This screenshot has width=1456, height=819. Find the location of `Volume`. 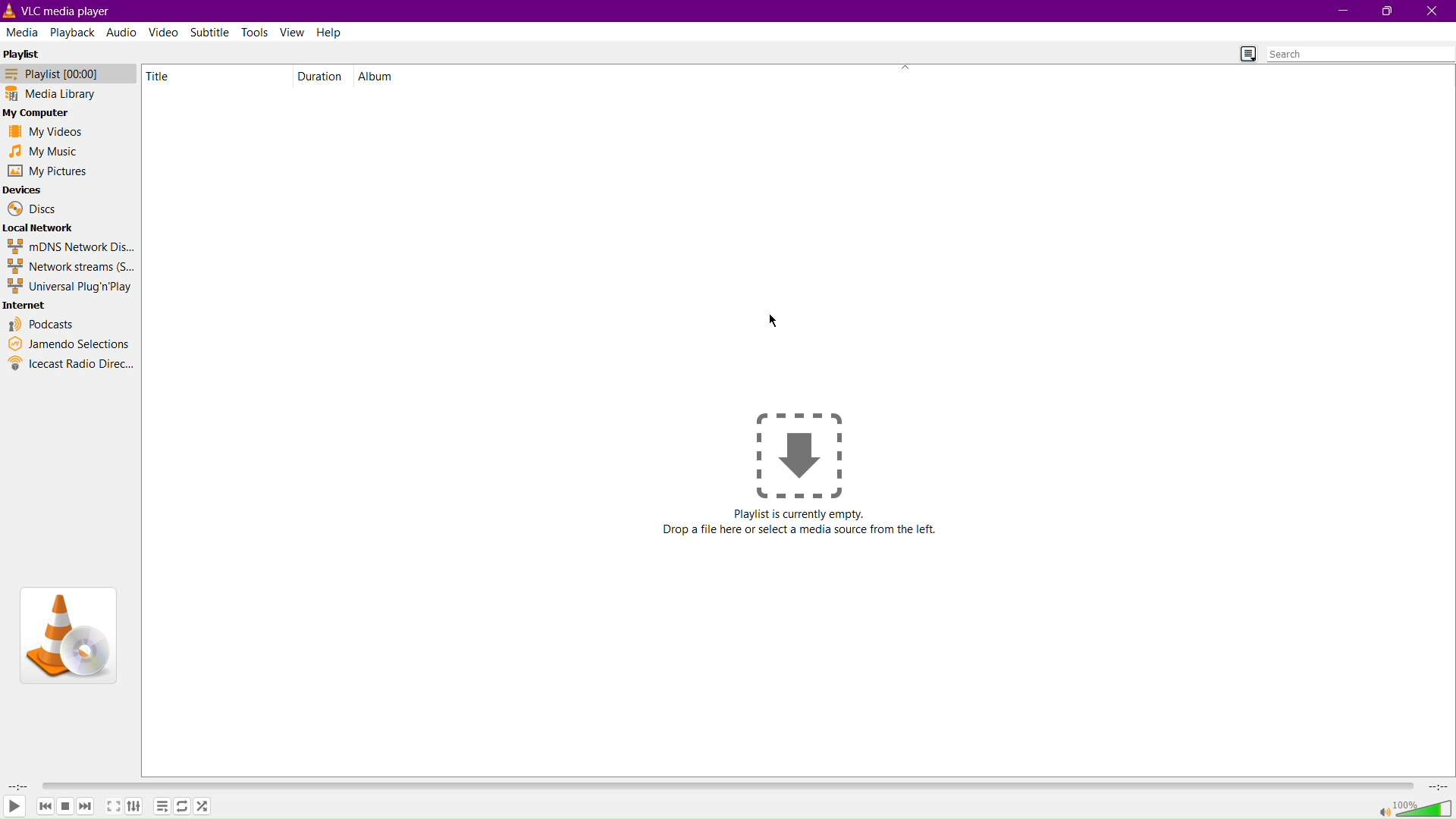

Volume is located at coordinates (1415, 808).